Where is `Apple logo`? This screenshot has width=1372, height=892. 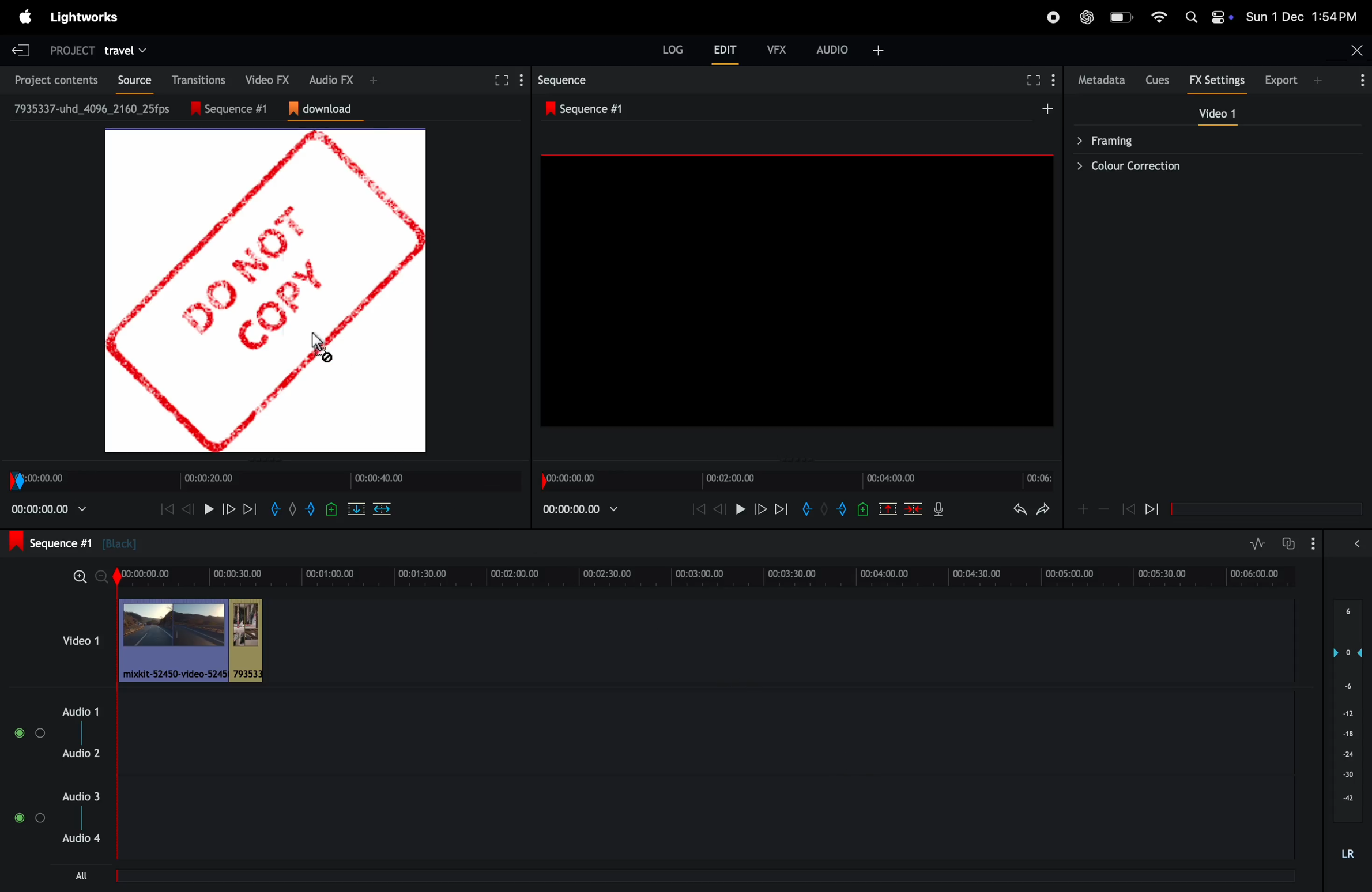
Apple logo is located at coordinates (26, 17).